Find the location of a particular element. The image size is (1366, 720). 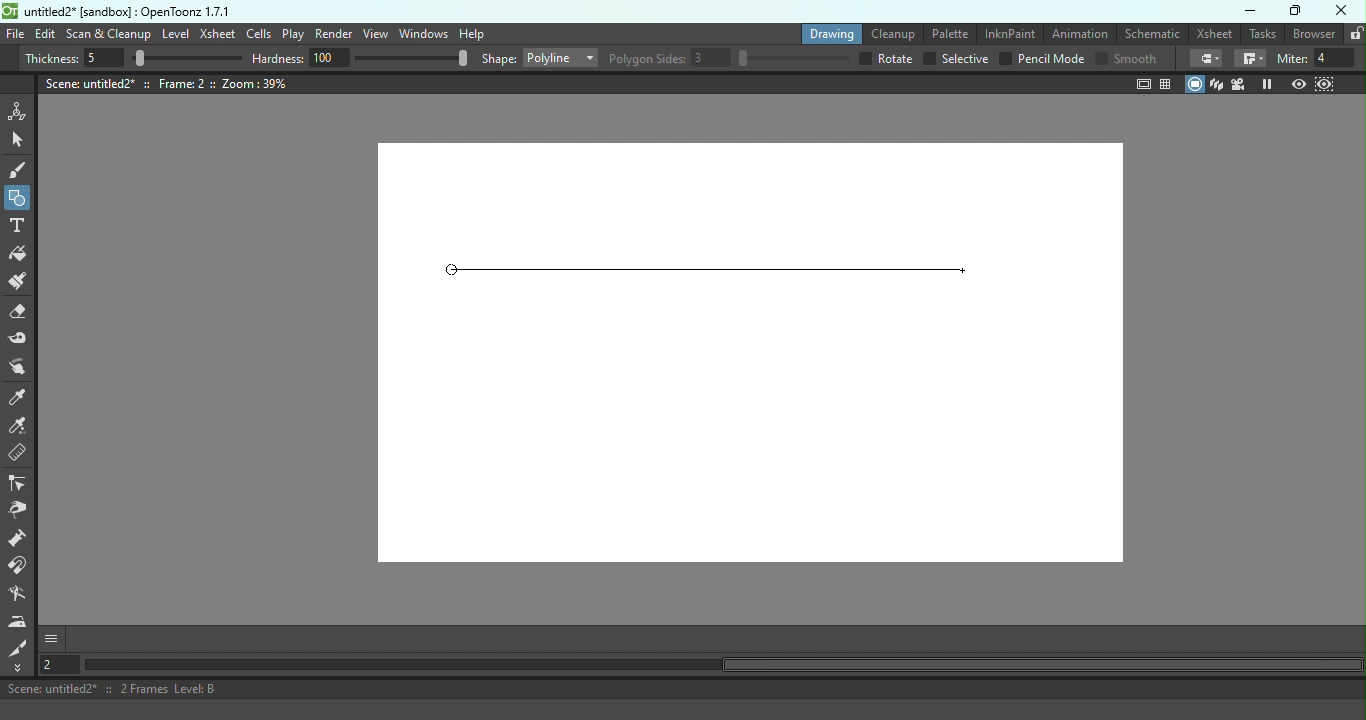

InknPaint is located at coordinates (1009, 32).